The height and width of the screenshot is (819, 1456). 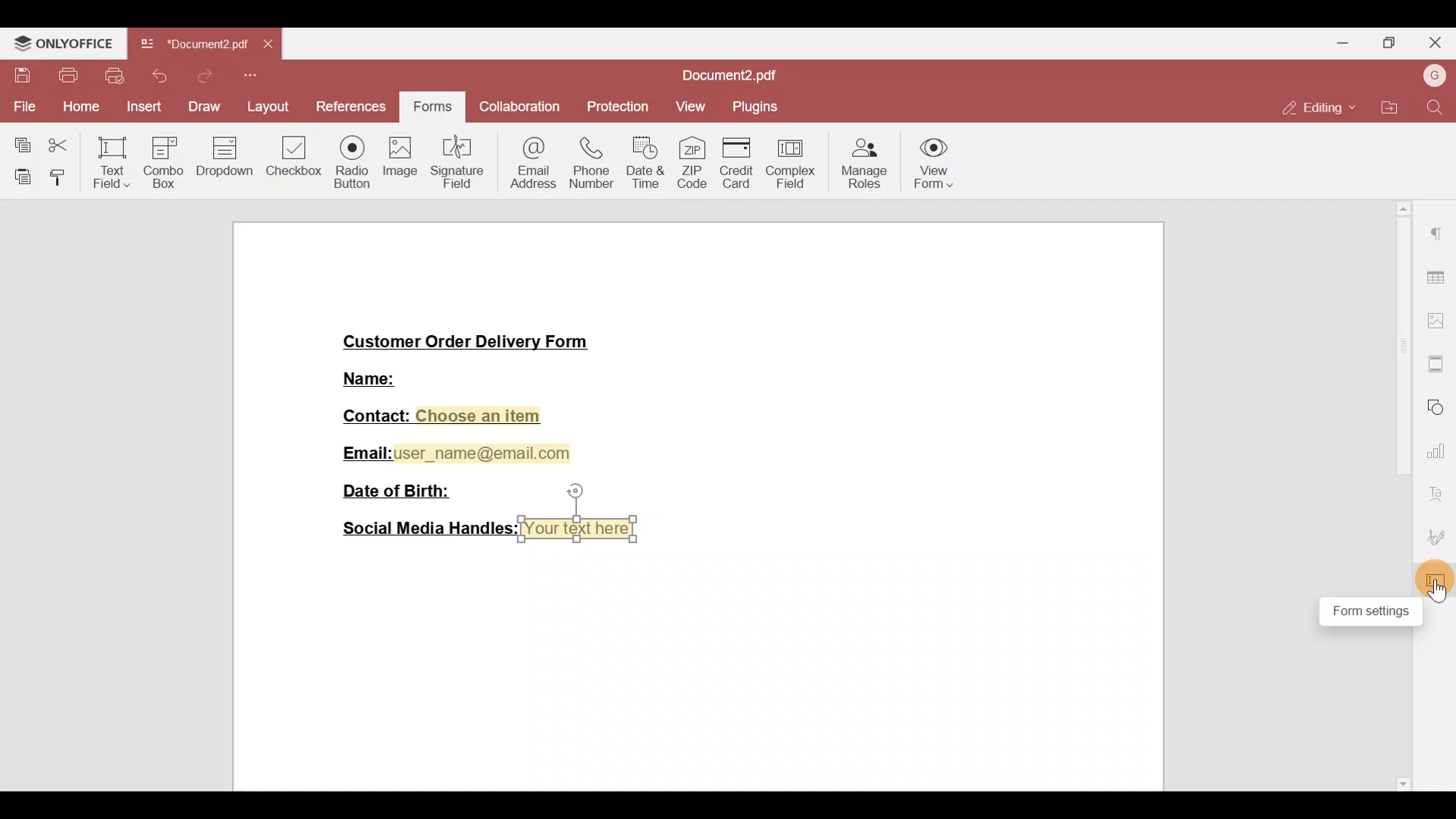 I want to click on Undo, so click(x=162, y=76).